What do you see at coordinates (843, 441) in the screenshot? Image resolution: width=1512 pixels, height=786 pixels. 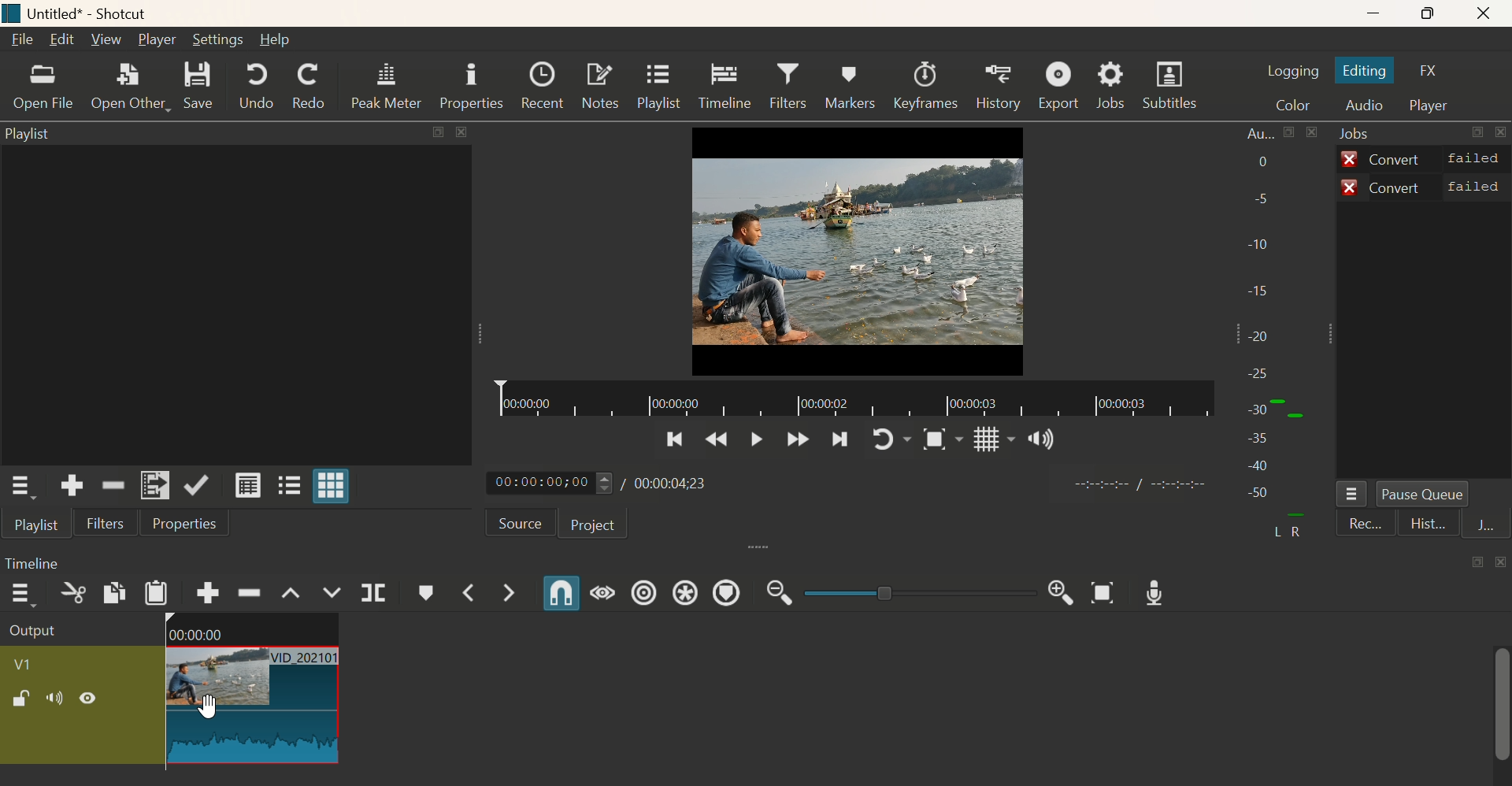 I see `Next` at bounding box center [843, 441].